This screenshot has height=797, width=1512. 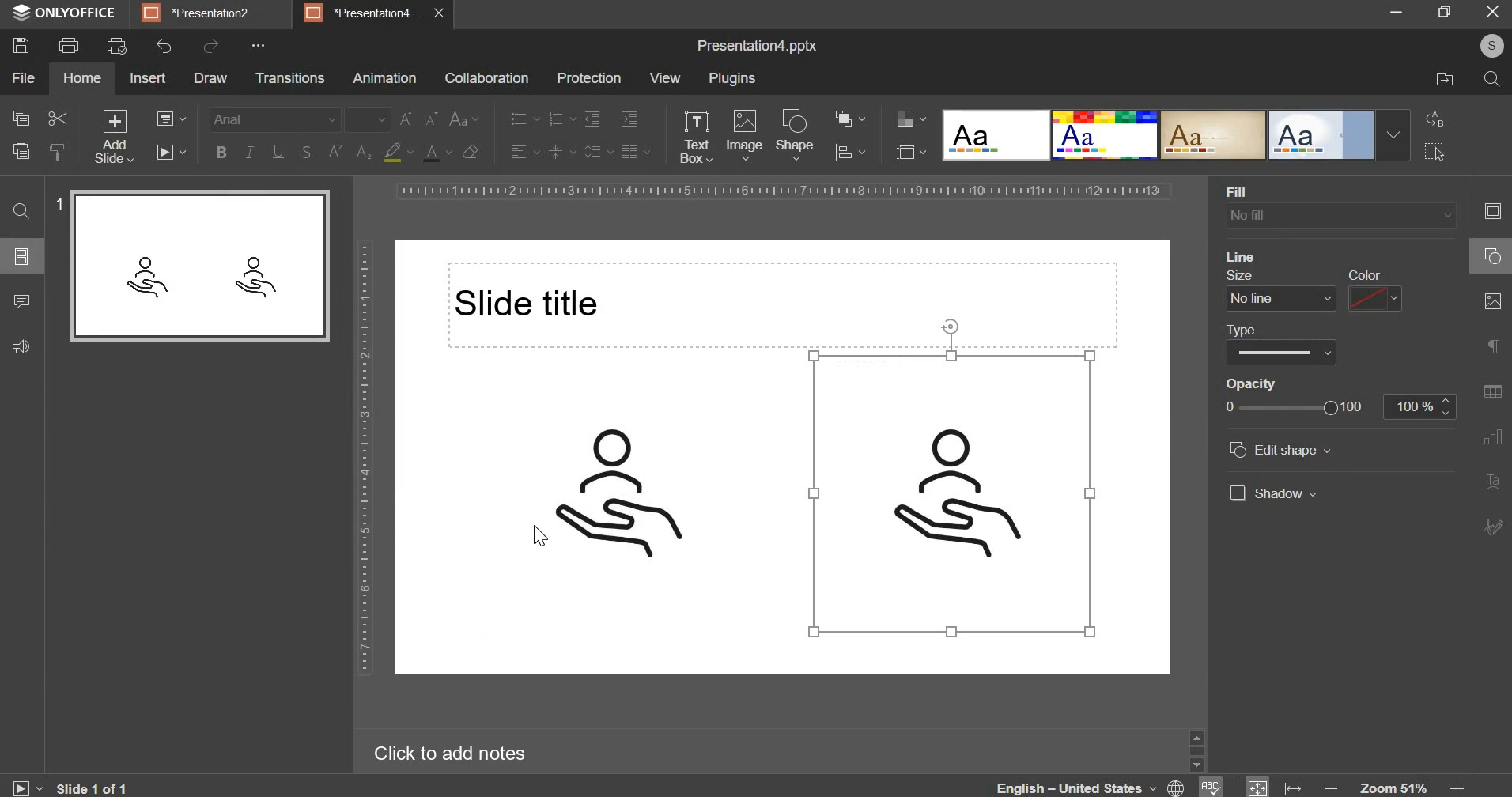 What do you see at coordinates (1255, 254) in the screenshot?
I see `fill color` at bounding box center [1255, 254].